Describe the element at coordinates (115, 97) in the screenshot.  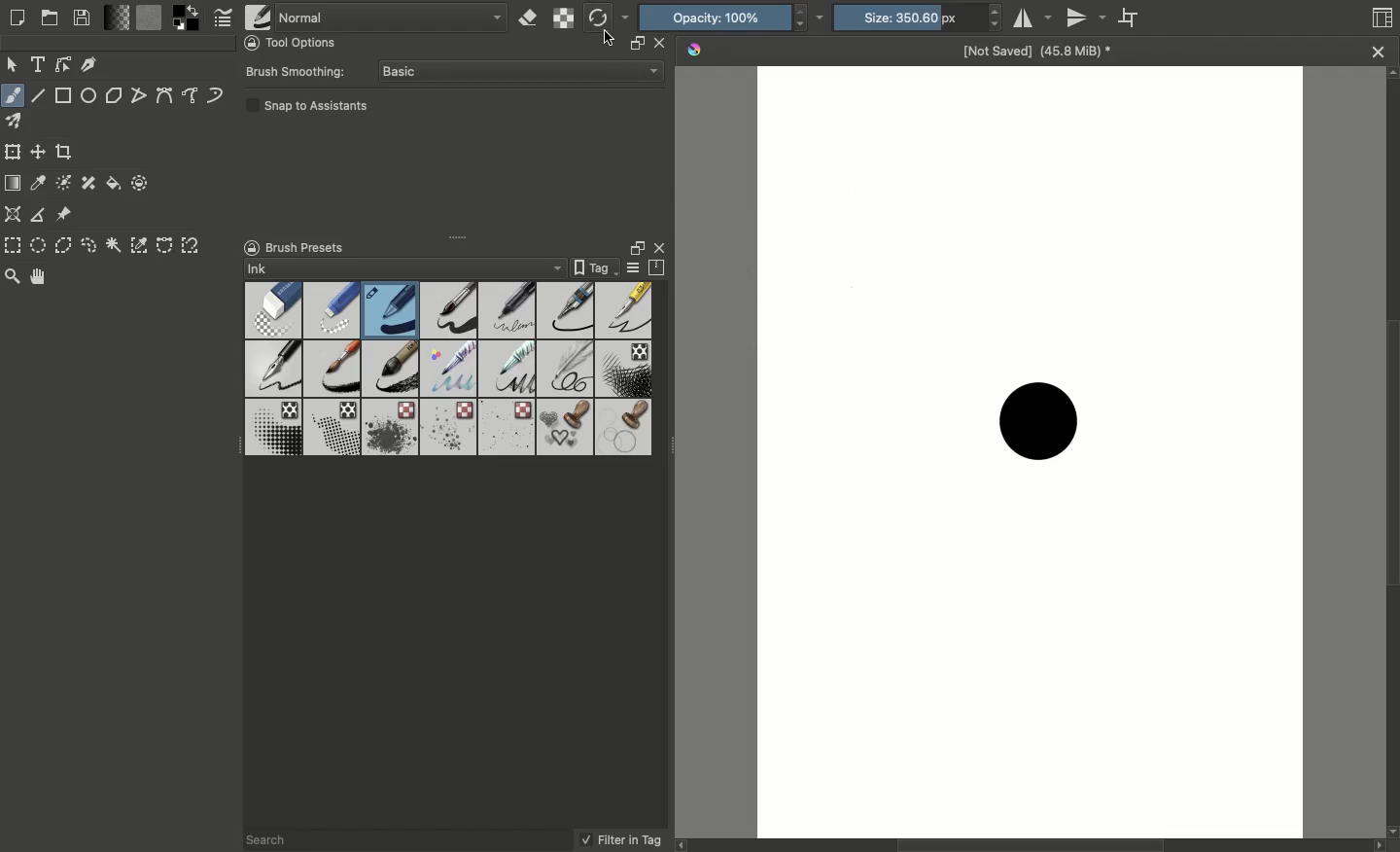
I see `Polygon` at that location.